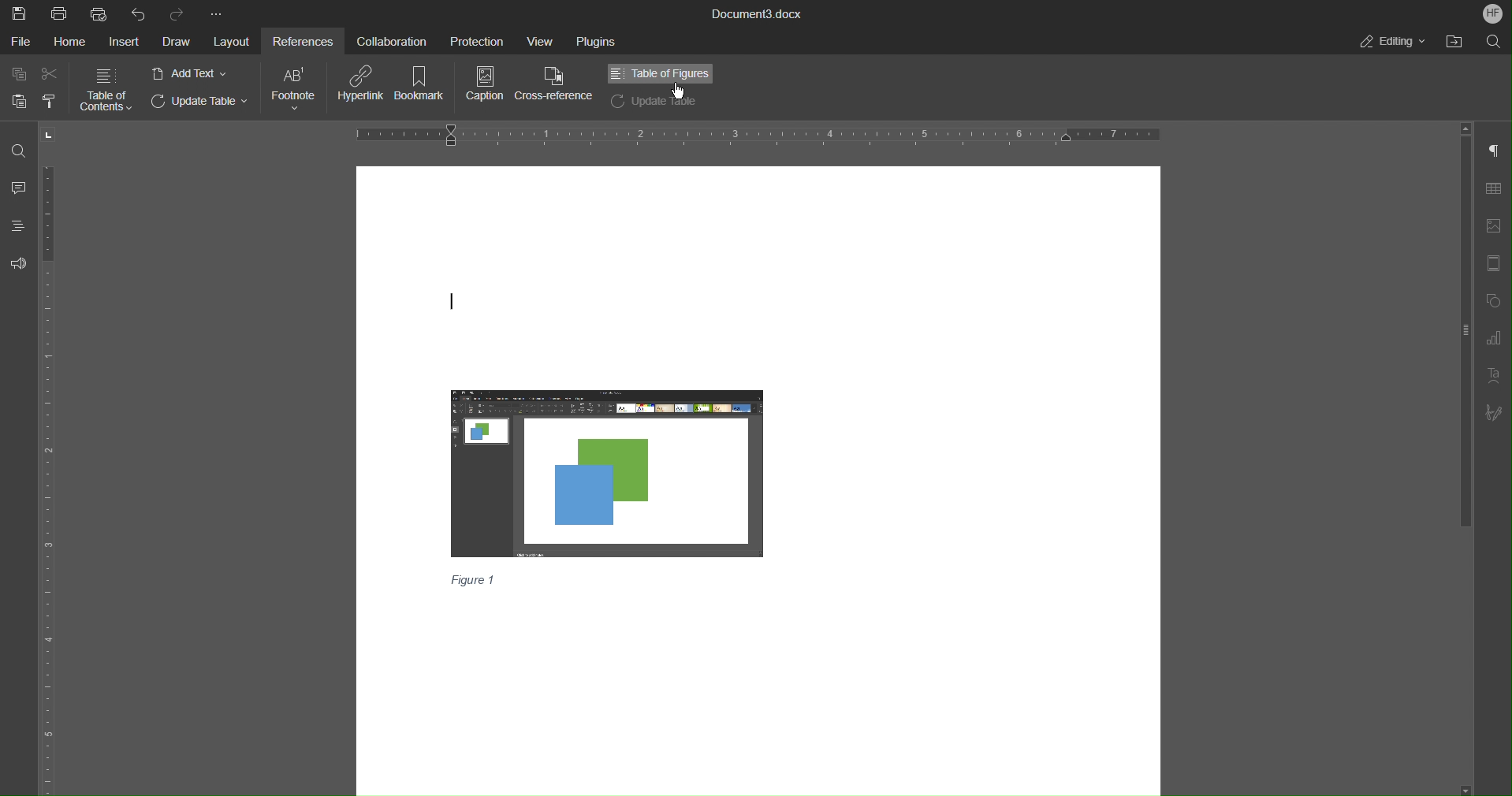 The image size is (1512, 796). Describe the element at coordinates (758, 133) in the screenshot. I see `Horizontal Ruler` at that location.